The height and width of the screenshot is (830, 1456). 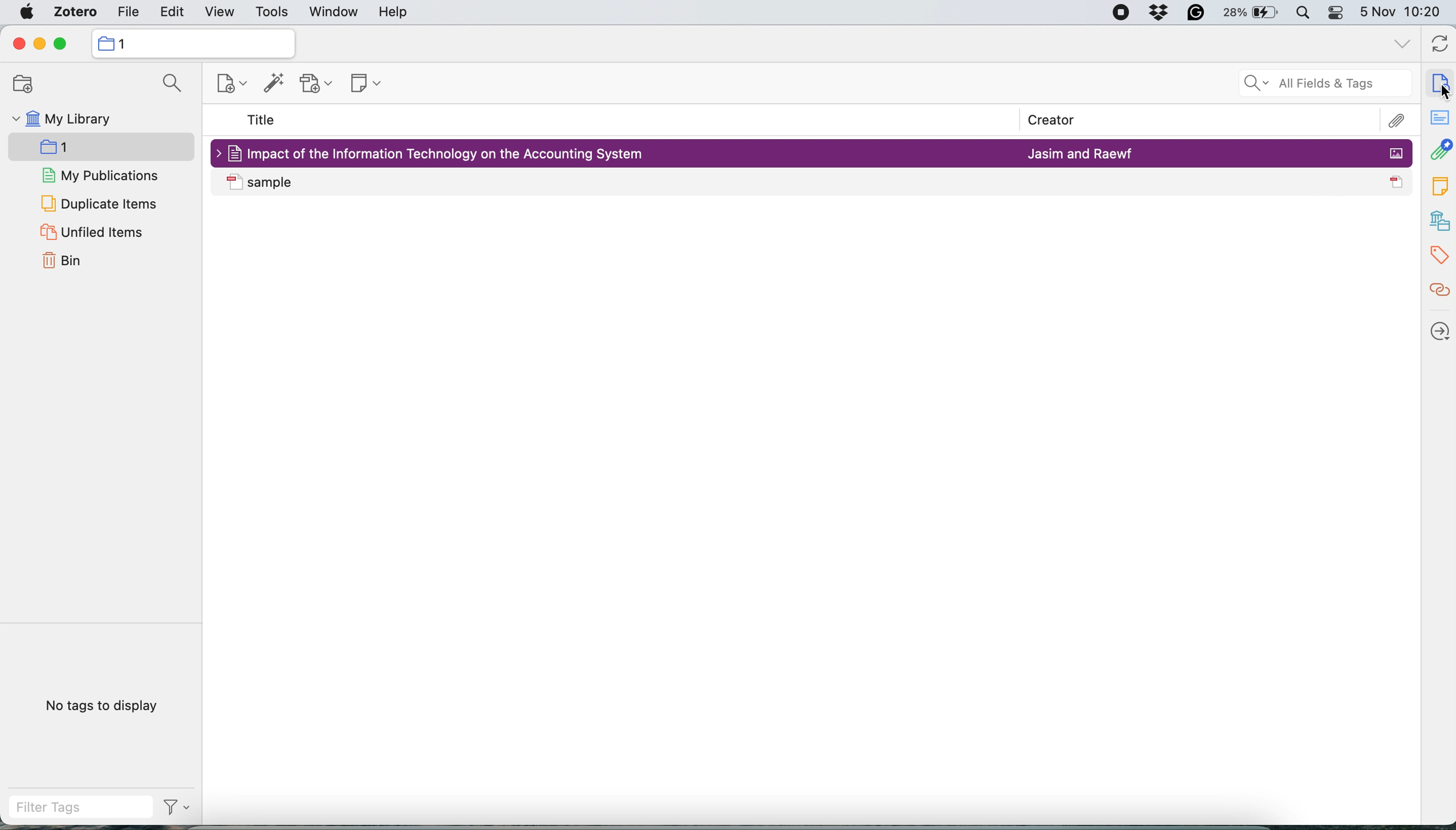 What do you see at coordinates (100, 175) in the screenshot?
I see `my publications` at bounding box center [100, 175].